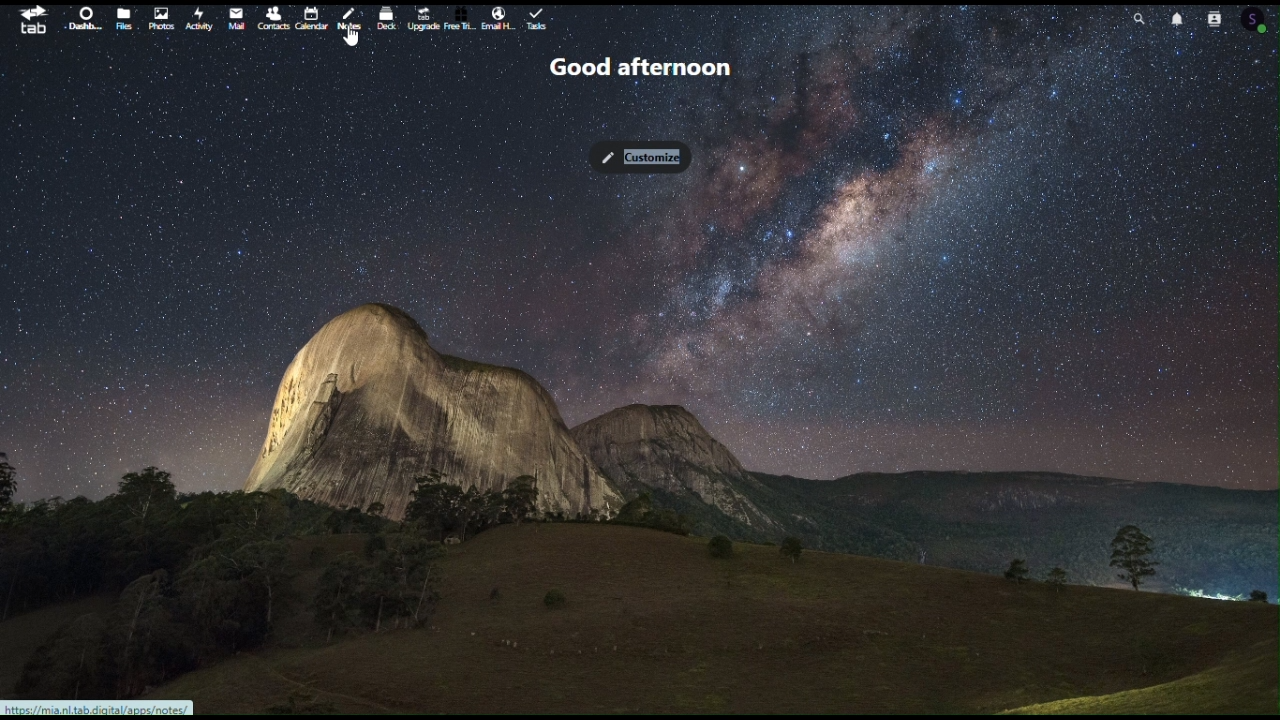 This screenshot has height=720, width=1280. What do you see at coordinates (1265, 21) in the screenshot?
I see `profile` at bounding box center [1265, 21].